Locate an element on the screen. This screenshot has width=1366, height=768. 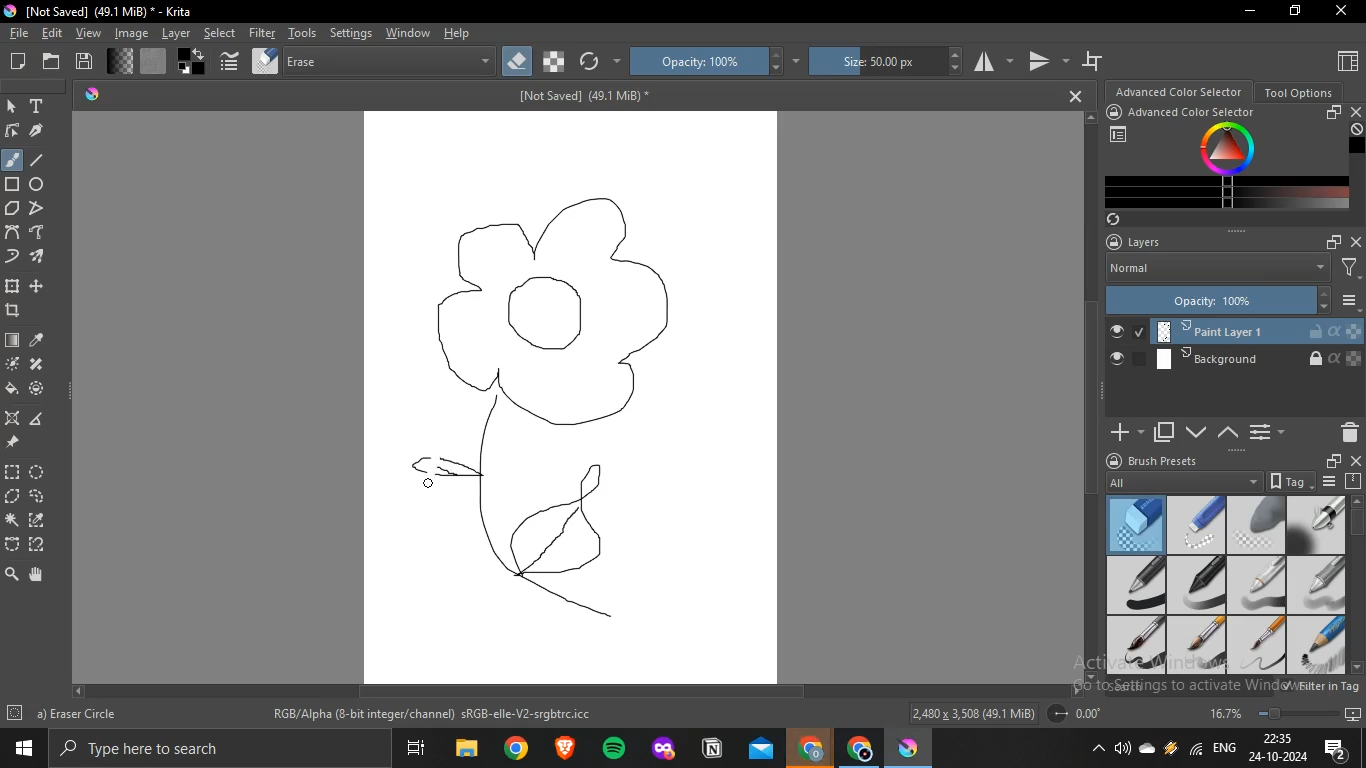
calligraphy is located at coordinates (36, 131).